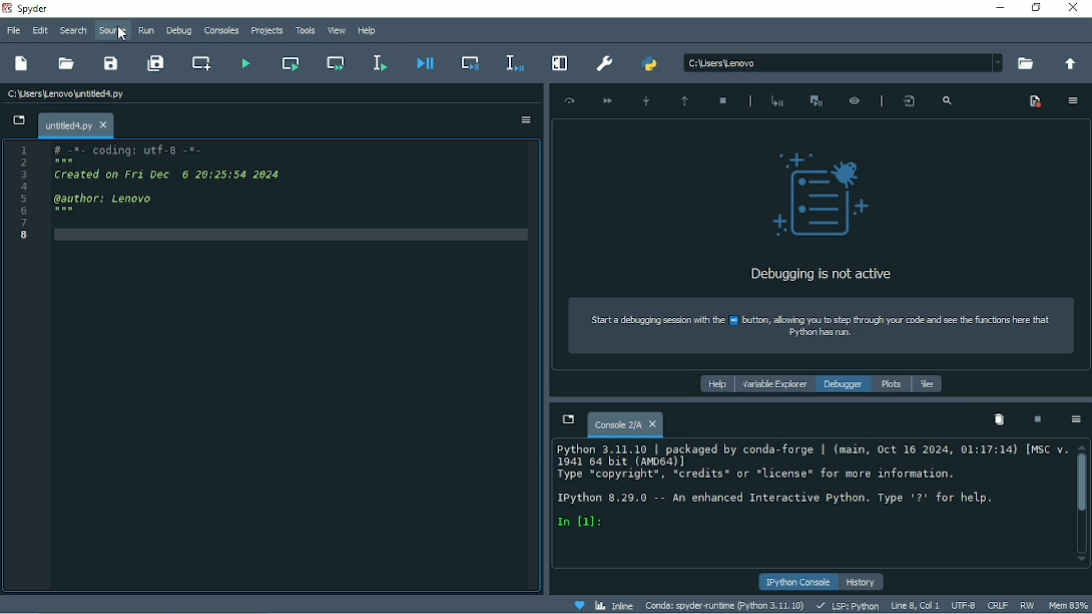  What do you see at coordinates (893, 384) in the screenshot?
I see `Plots` at bounding box center [893, 384].